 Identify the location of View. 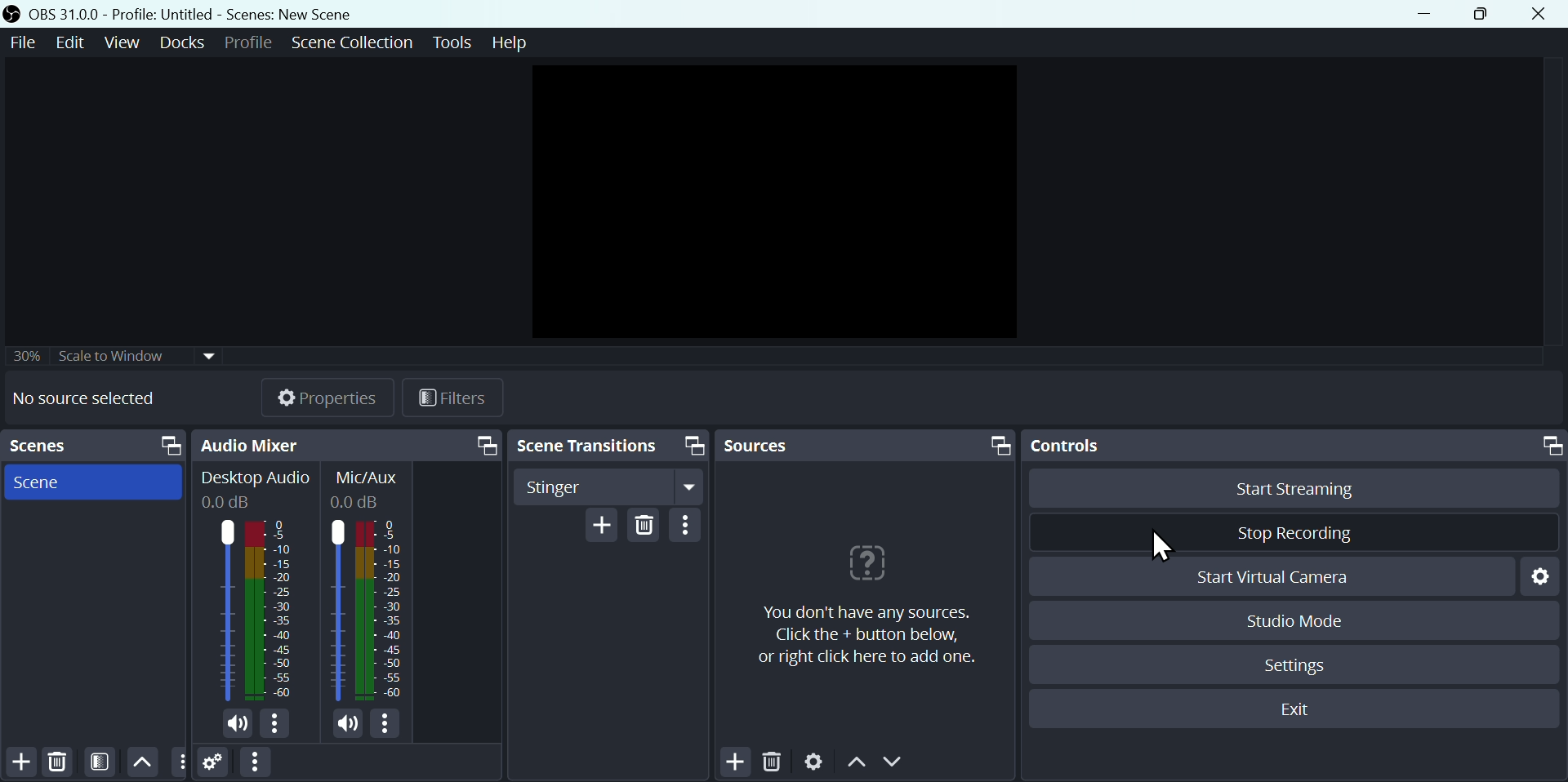
(122, 47).